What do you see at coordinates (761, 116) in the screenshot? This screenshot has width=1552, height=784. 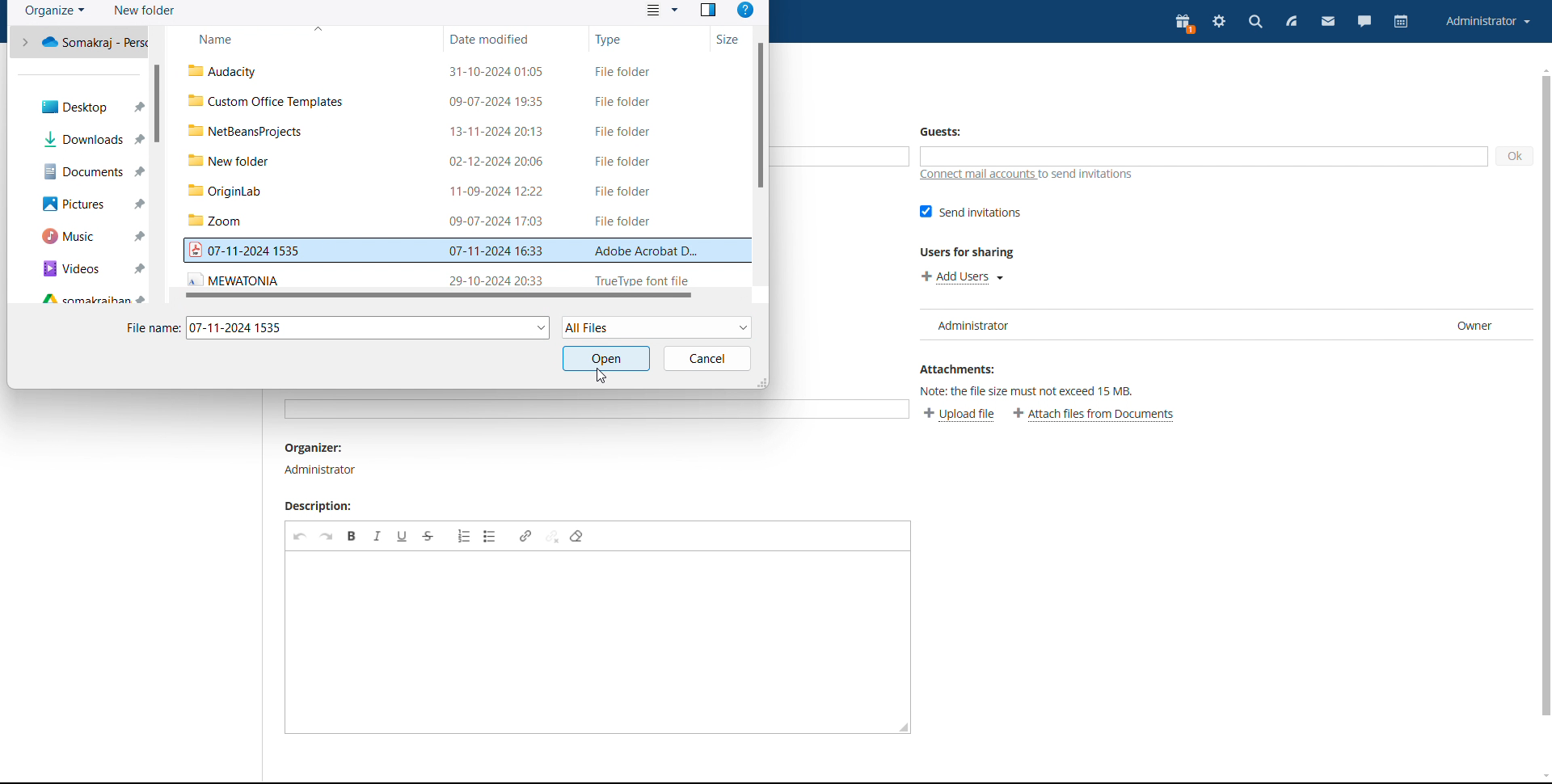 I see `scrollbar` at bounding box center [761, 116].